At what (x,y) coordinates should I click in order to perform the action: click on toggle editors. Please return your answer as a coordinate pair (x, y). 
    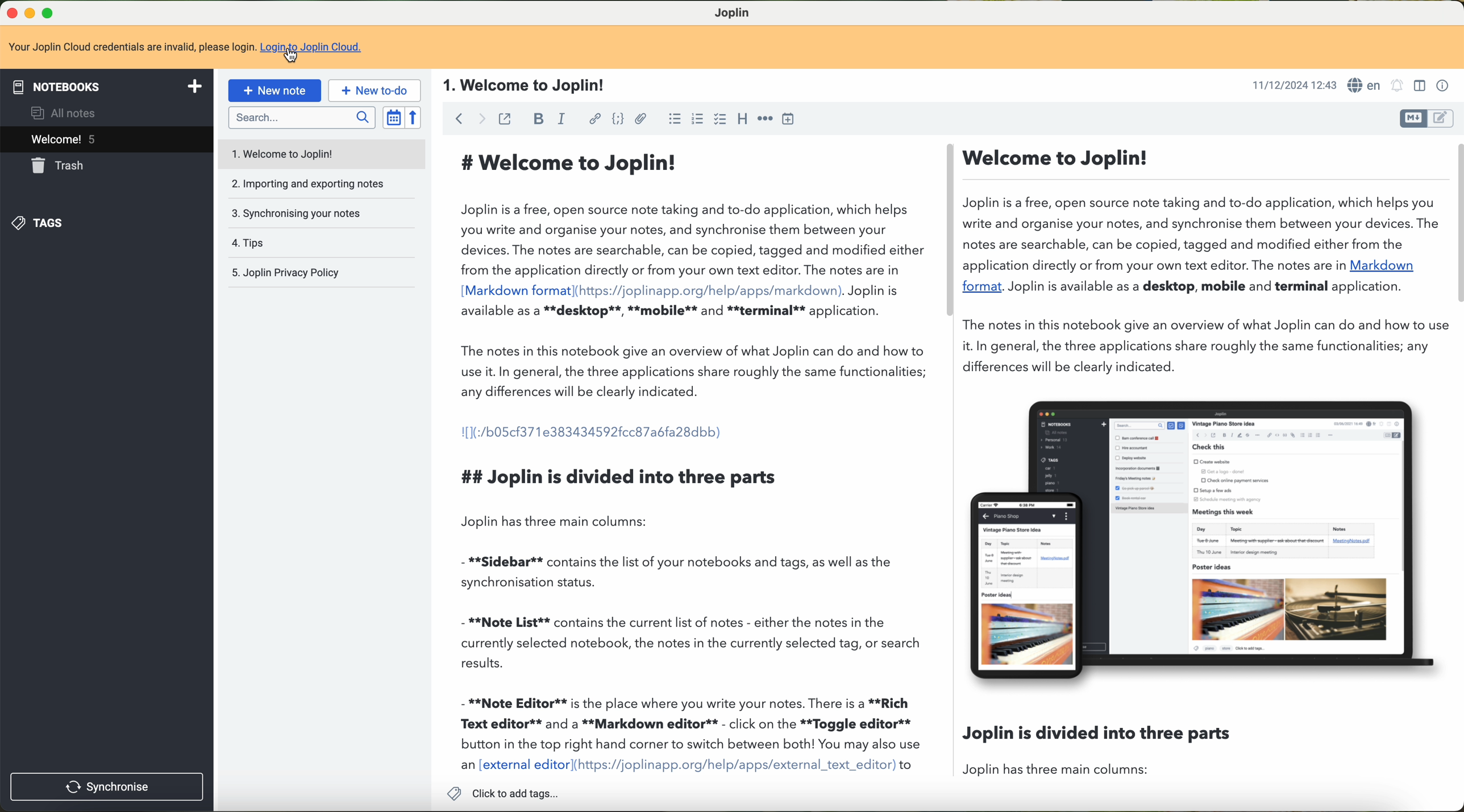
    Looking at the image, I should click on (1415, 120).